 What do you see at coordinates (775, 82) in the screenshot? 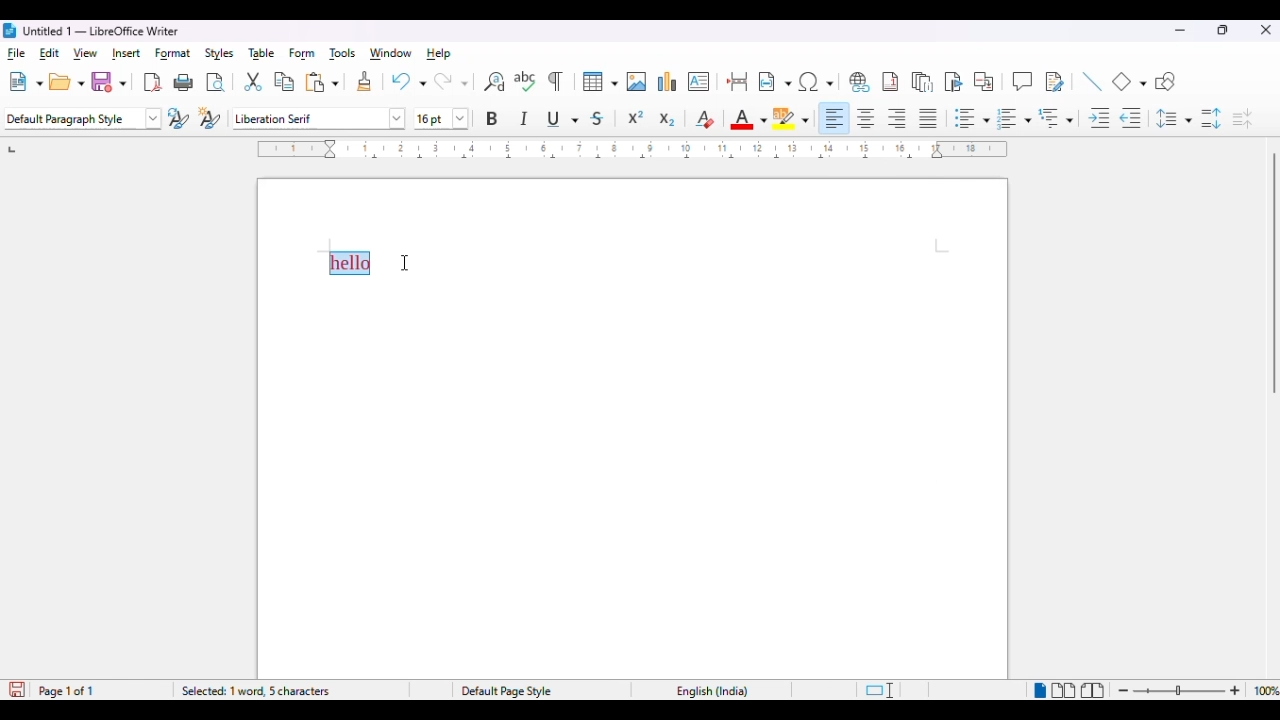
I see `insert field` at bounding box center [775, 82].